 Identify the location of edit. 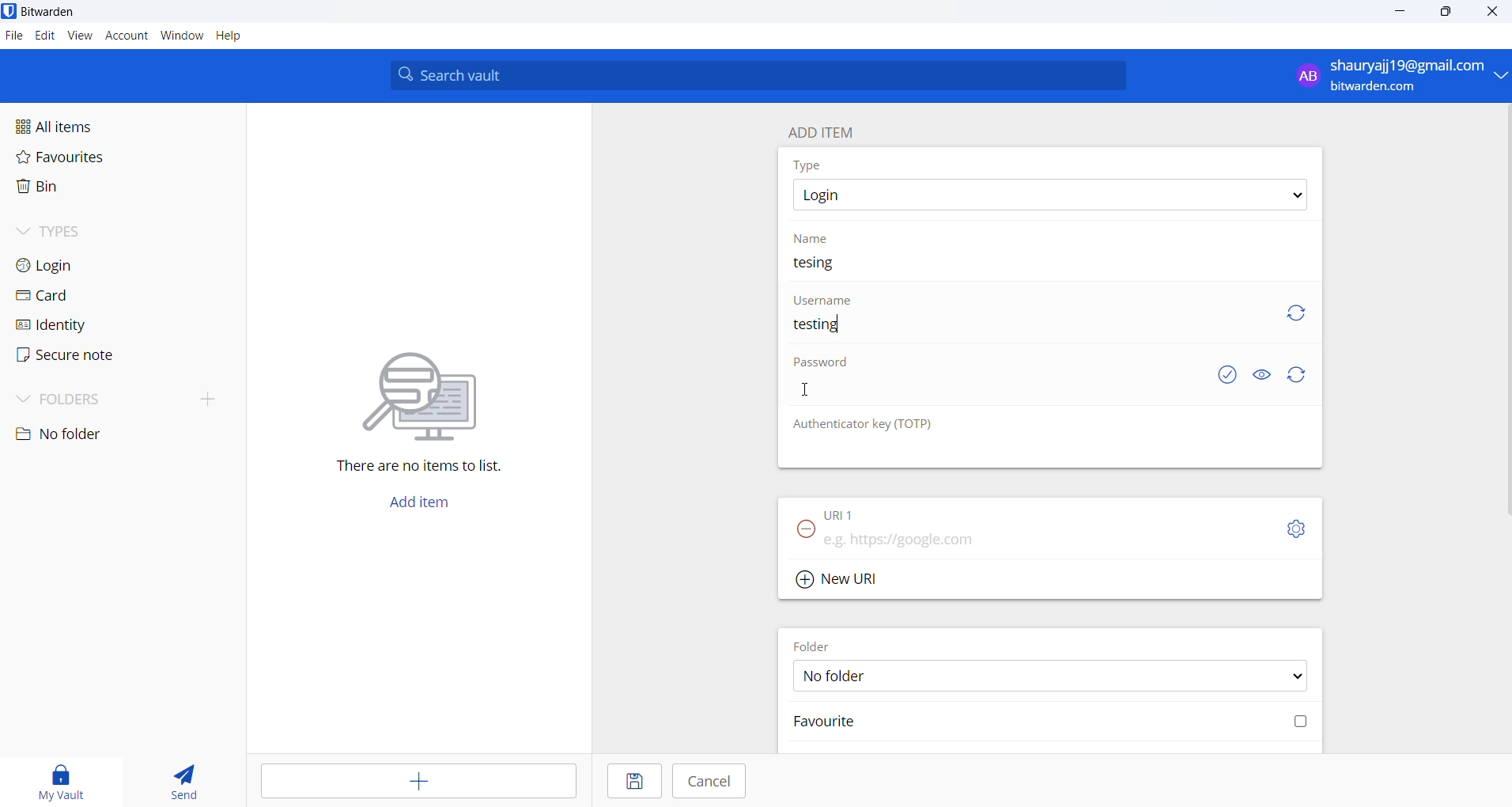
(44, 37).